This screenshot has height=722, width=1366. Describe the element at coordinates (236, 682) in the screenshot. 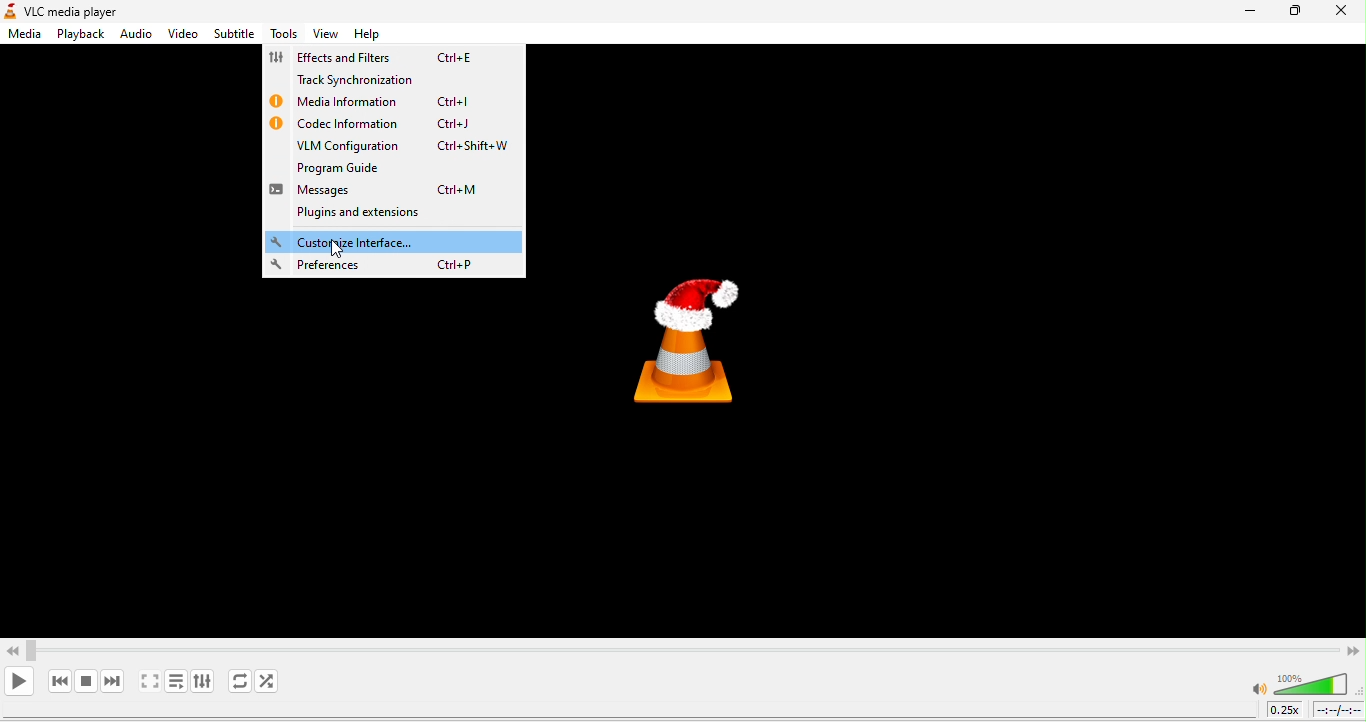

I see `click to toggle between loop all` at that location.